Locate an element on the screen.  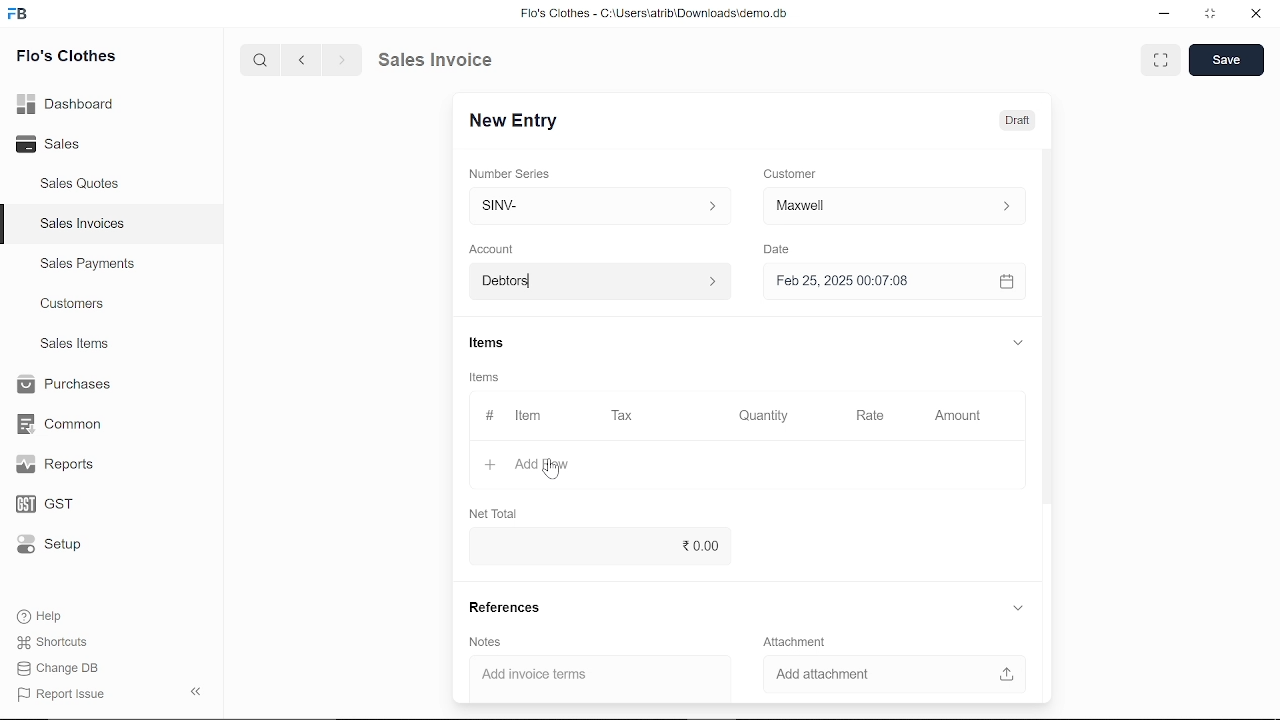
‘Number Series is located at coordinates (510, 173).